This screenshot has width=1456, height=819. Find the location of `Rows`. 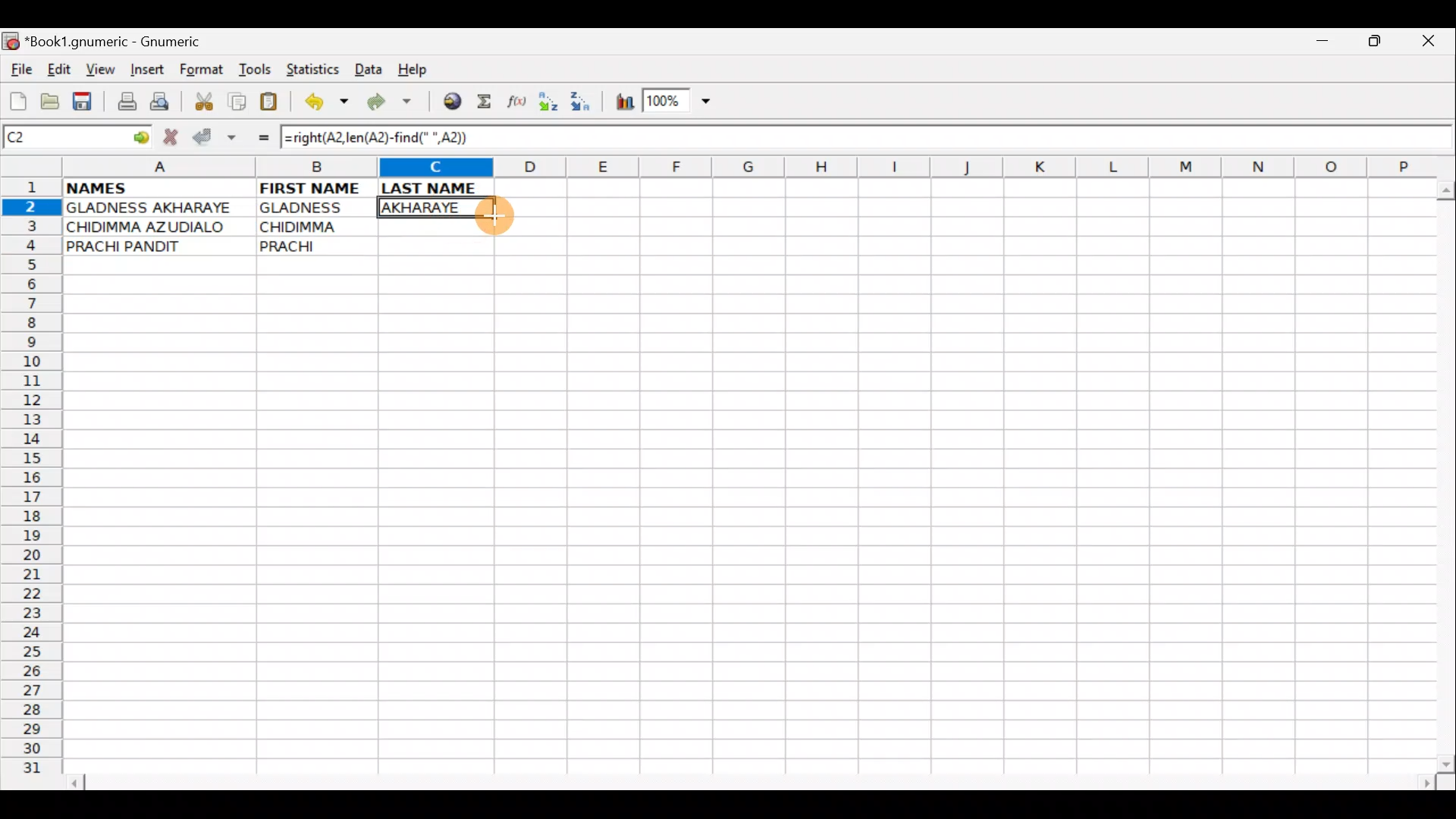

Rows is located at coordinates (32, 482).